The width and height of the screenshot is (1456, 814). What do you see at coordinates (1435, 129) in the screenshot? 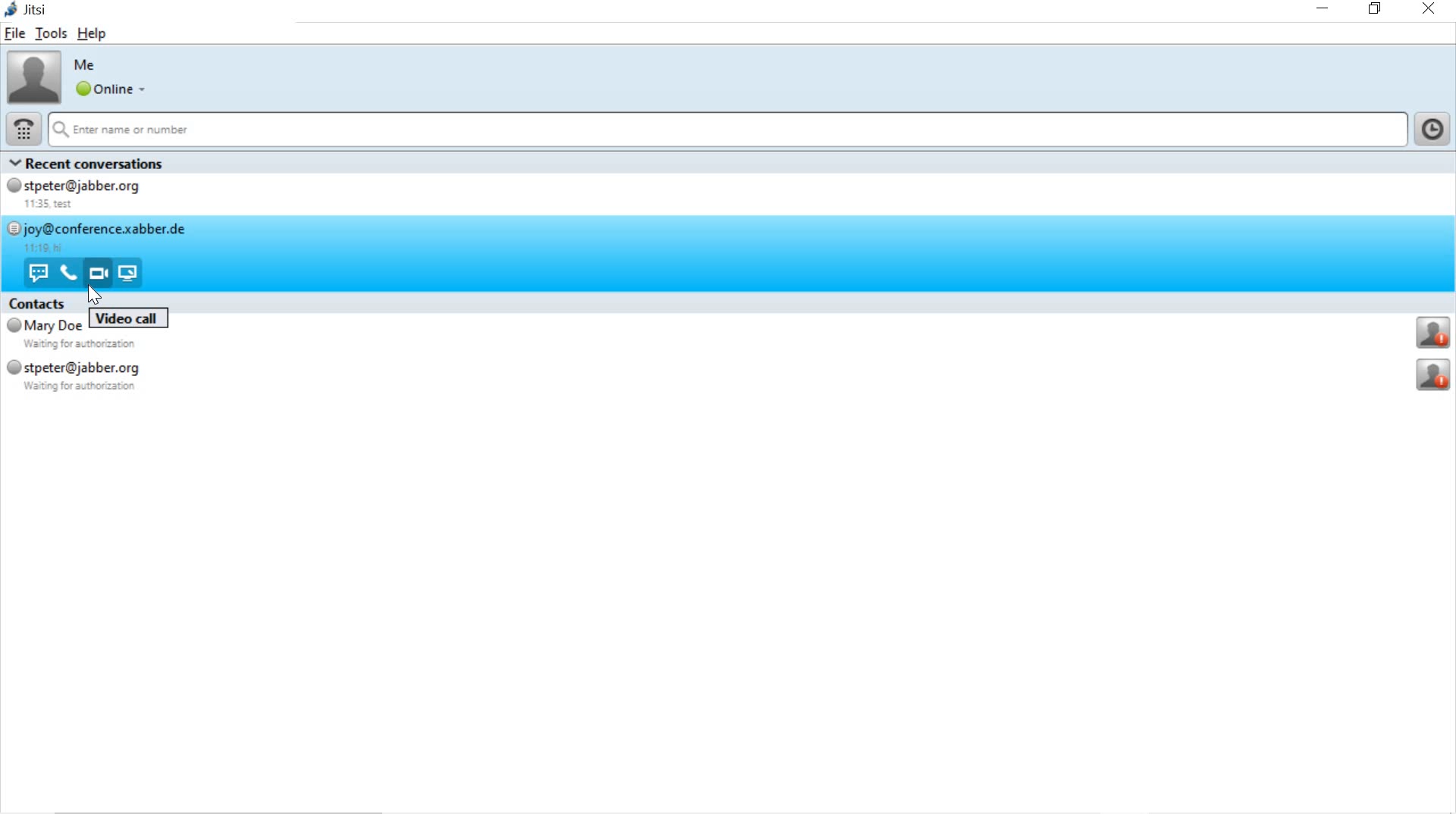
I see ` show call history` at bounding box center [1435, 129].